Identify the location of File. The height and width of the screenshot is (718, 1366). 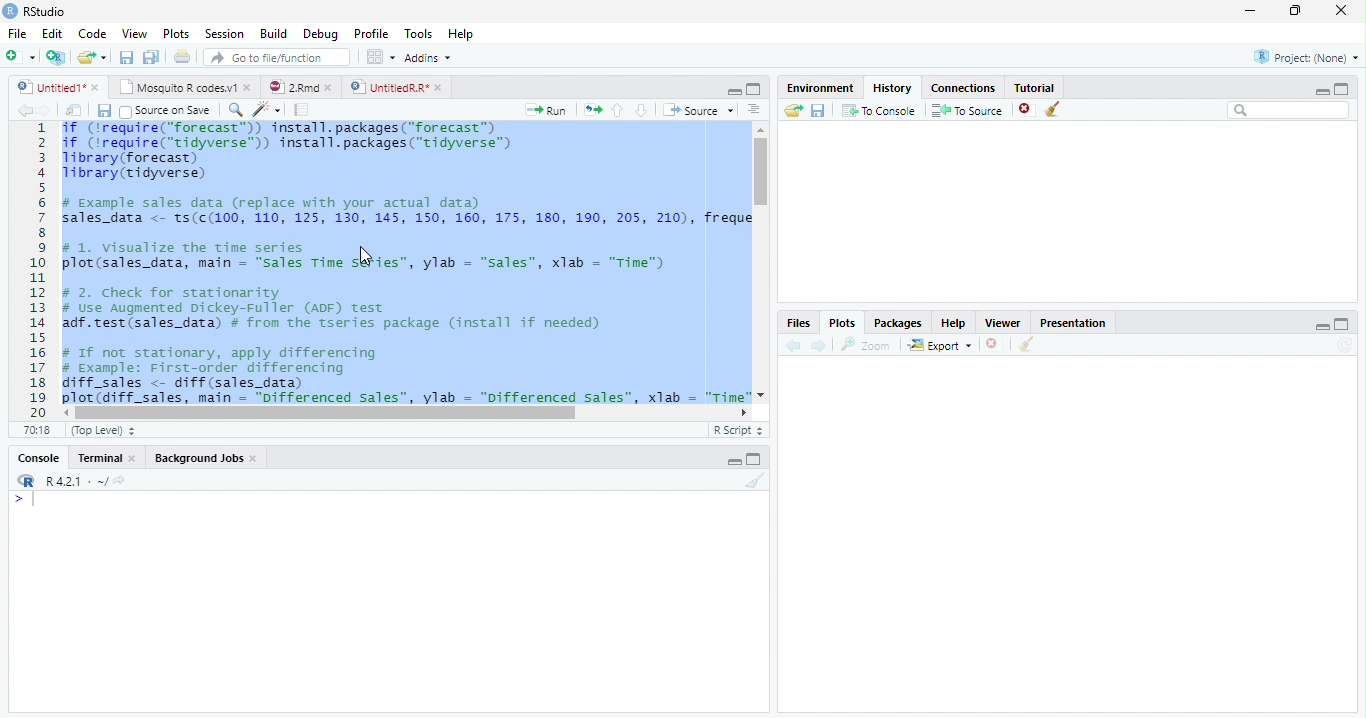
(17, 33).